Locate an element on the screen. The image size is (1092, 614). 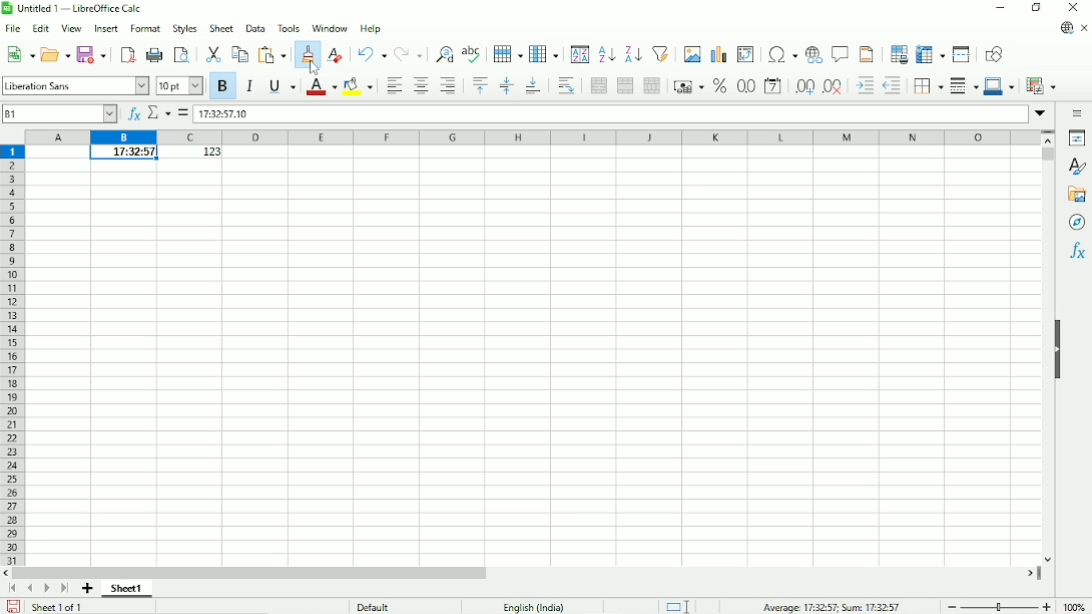
17:32:57 is located at coordinates (123, 153).